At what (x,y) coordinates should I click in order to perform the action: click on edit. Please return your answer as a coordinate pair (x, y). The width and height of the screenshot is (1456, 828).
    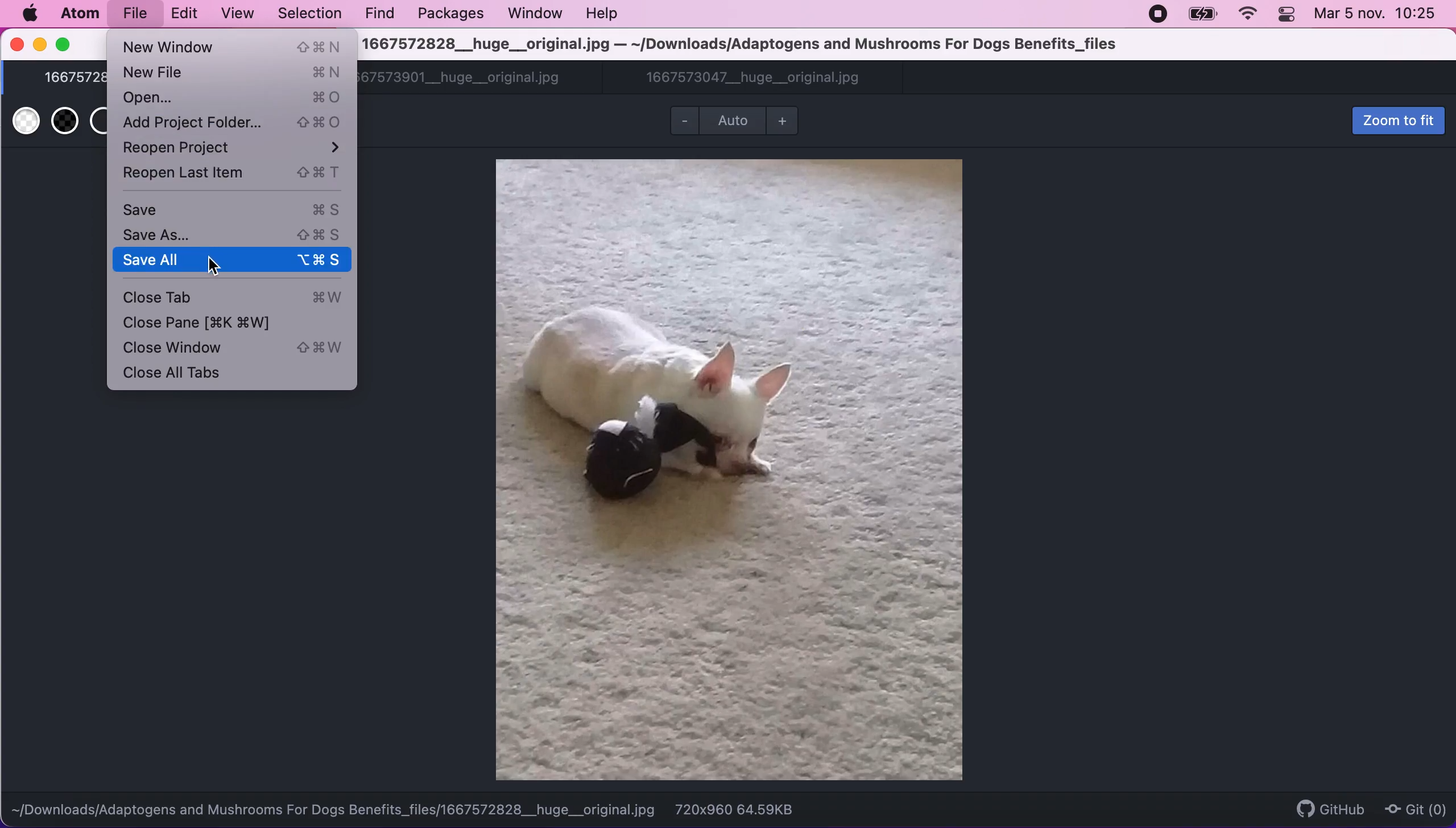
    Looking at the image, I should click on (185, 14).